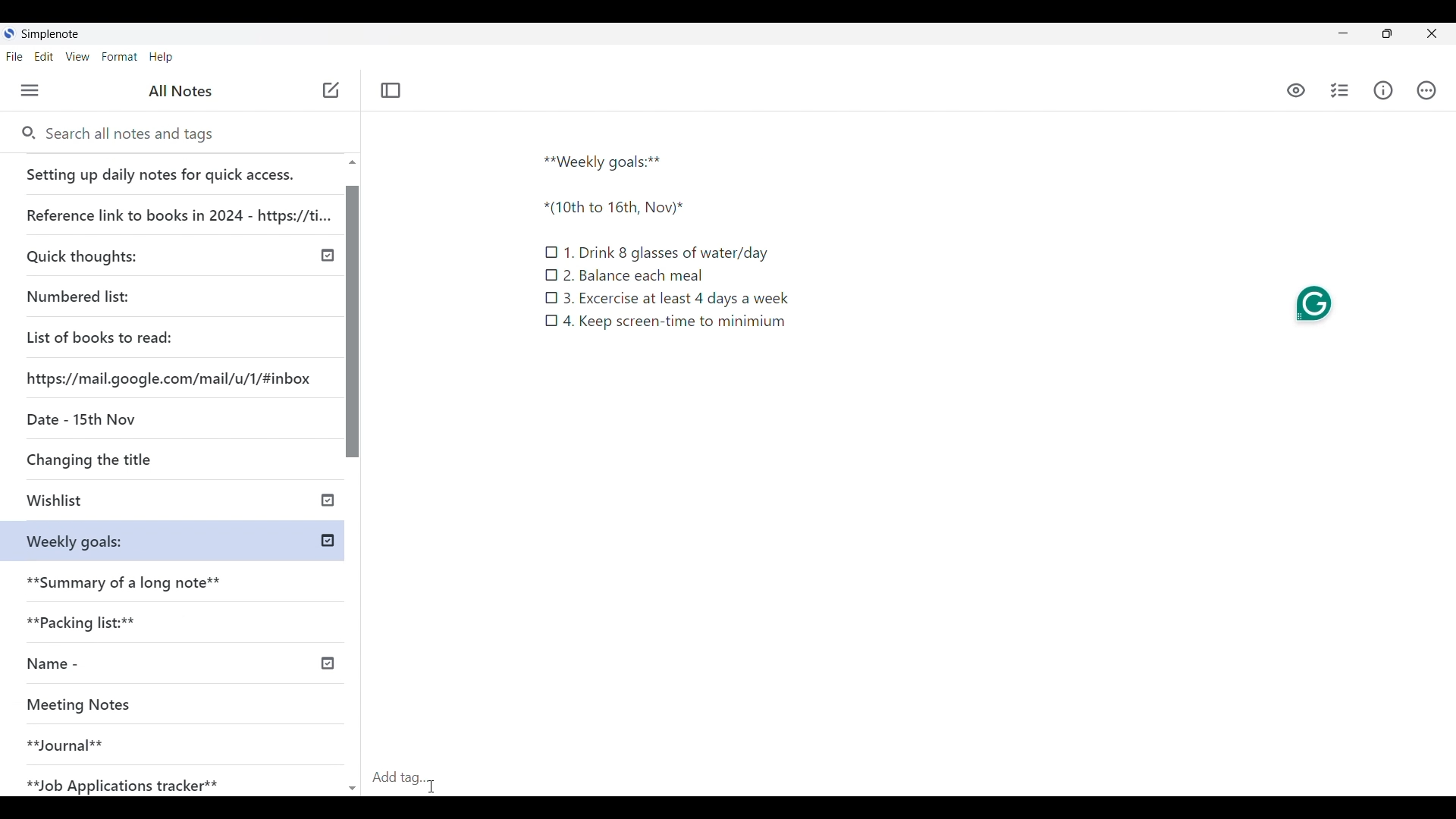  What do you see at coordinates (686, 259) in the screenshot?
I see `**Weekly goals:**

*(10th to 16th, Nov)*

O 1. Drink 8 glasses of water/day

0 2. Balance each meal

0 3. Excercise at least 4 days a week
O 4. Keep screen-time to minimium` at bounding box center [686, 259].